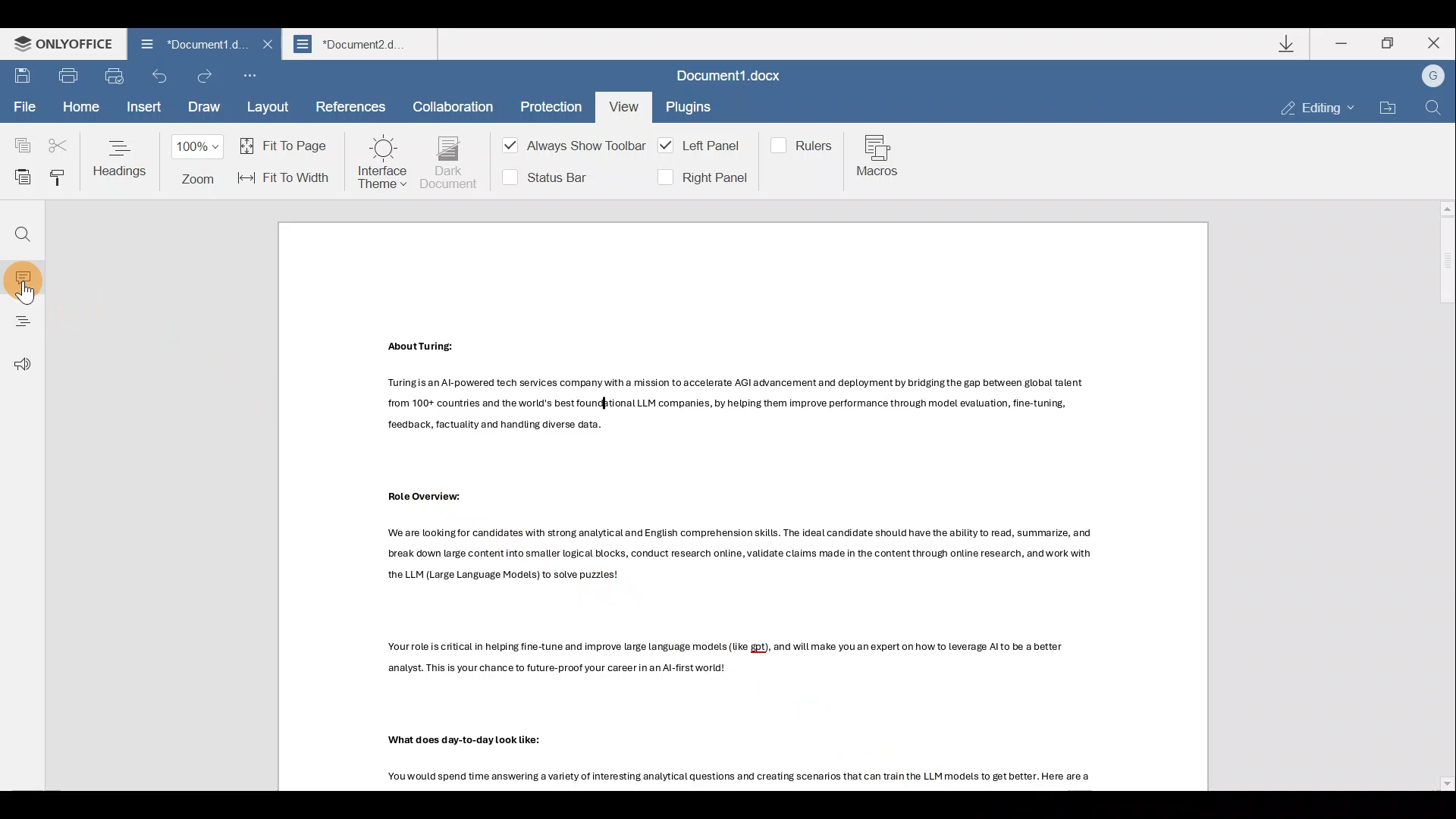 The image size is (1456, 819). I want to click on View, so click(622, 104).